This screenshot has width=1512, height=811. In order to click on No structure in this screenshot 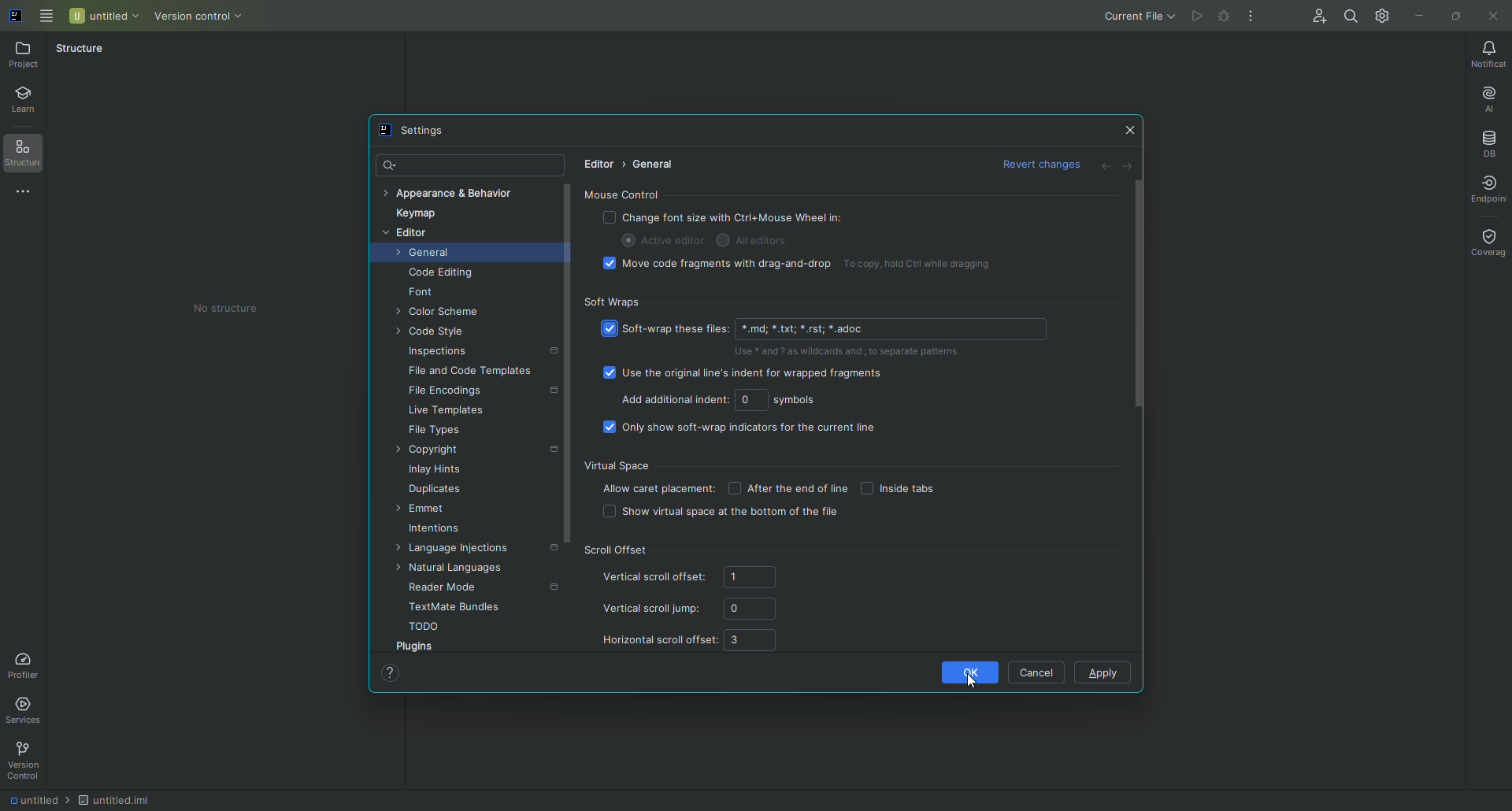, I will do `click(224, 308)`.